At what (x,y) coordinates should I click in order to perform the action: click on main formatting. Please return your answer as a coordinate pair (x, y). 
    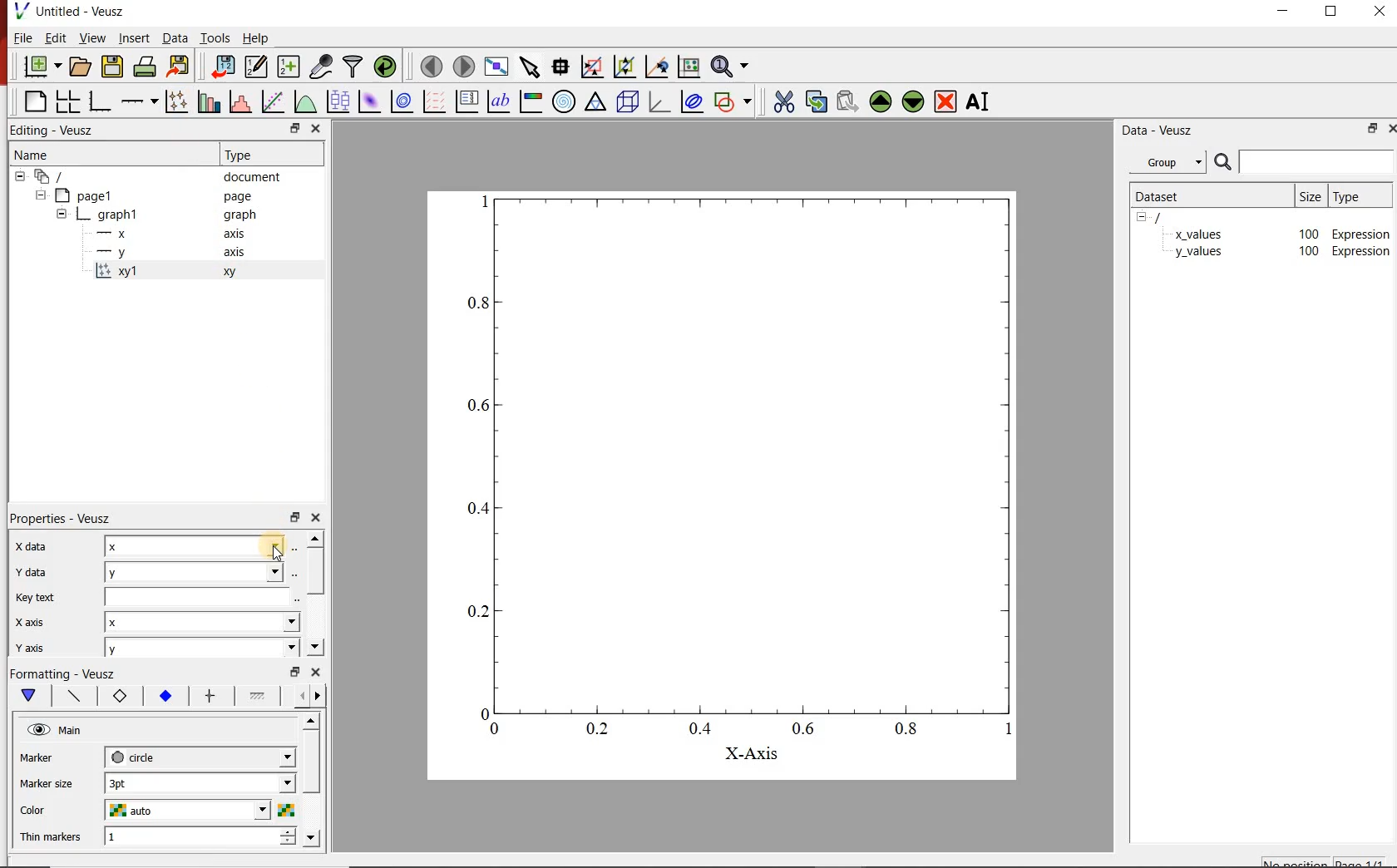
    Looking at the image, I should click on (30, 696).